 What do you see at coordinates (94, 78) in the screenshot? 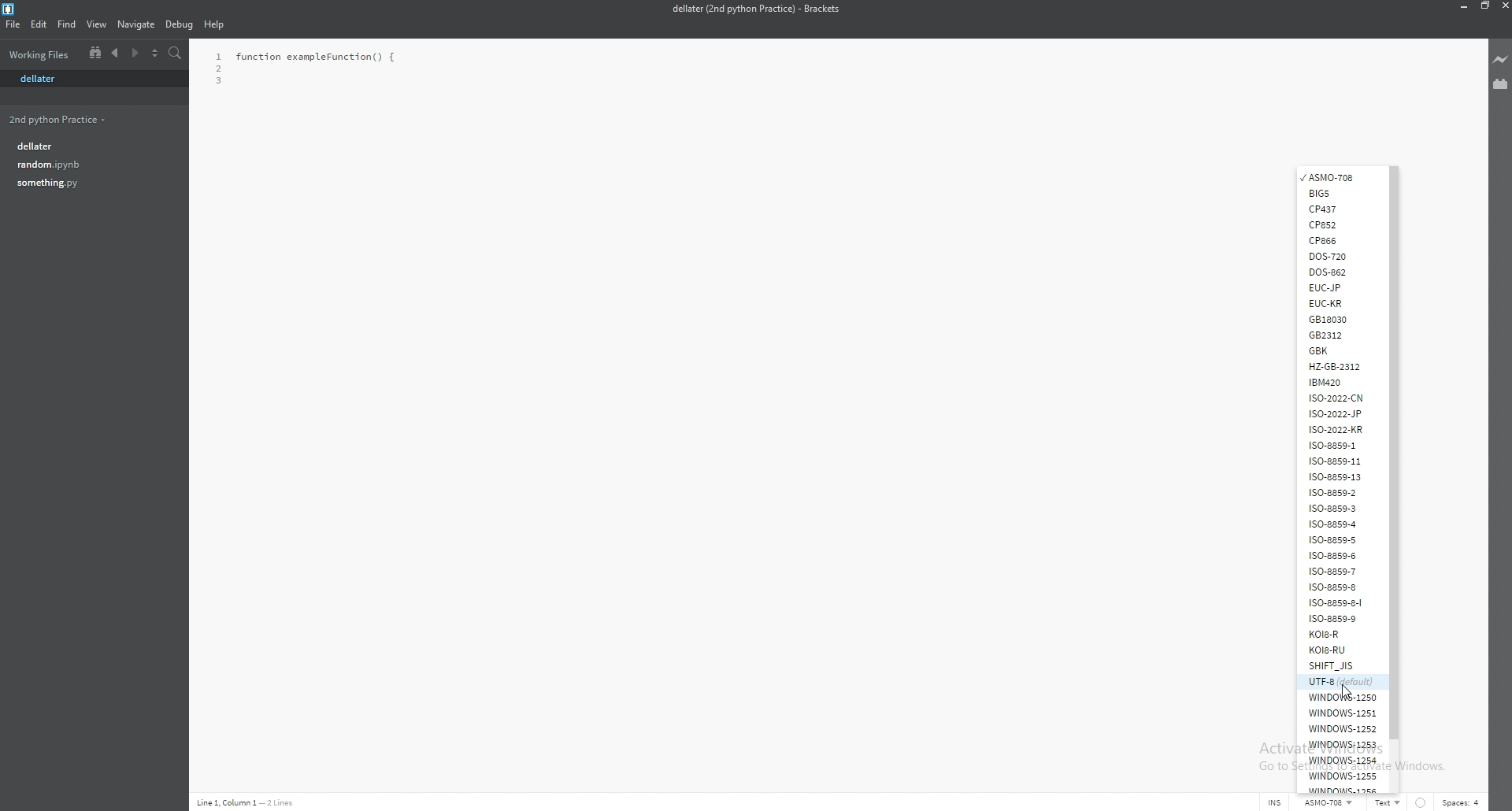
I see `dellater` at bounding box center [94, 78].